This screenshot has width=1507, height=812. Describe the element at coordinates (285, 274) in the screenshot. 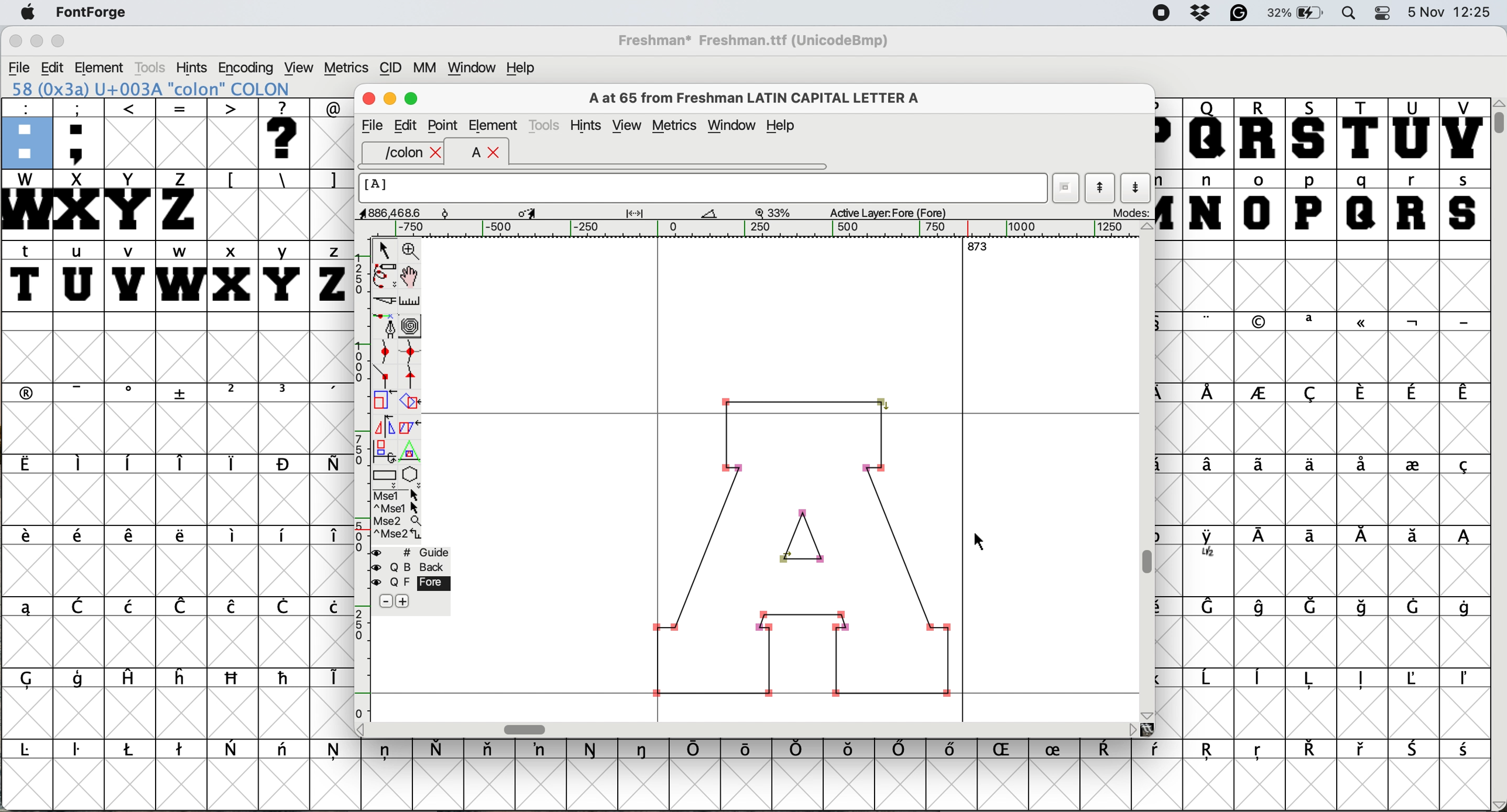

I see `y` at that location.